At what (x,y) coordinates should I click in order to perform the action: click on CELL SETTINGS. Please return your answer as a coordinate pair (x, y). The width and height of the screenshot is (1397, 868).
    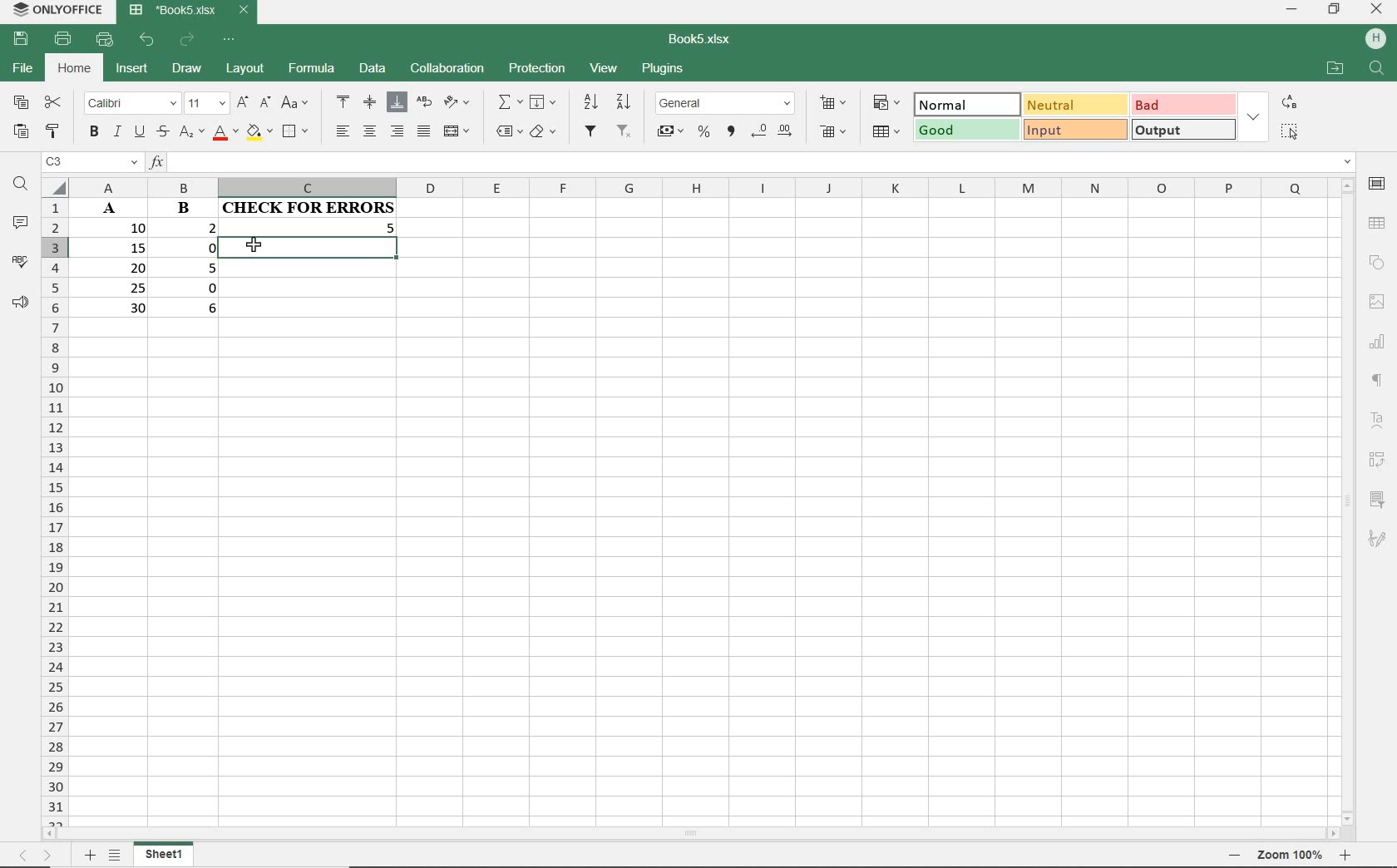
    Looking at the image, I should click on (1377, 186).